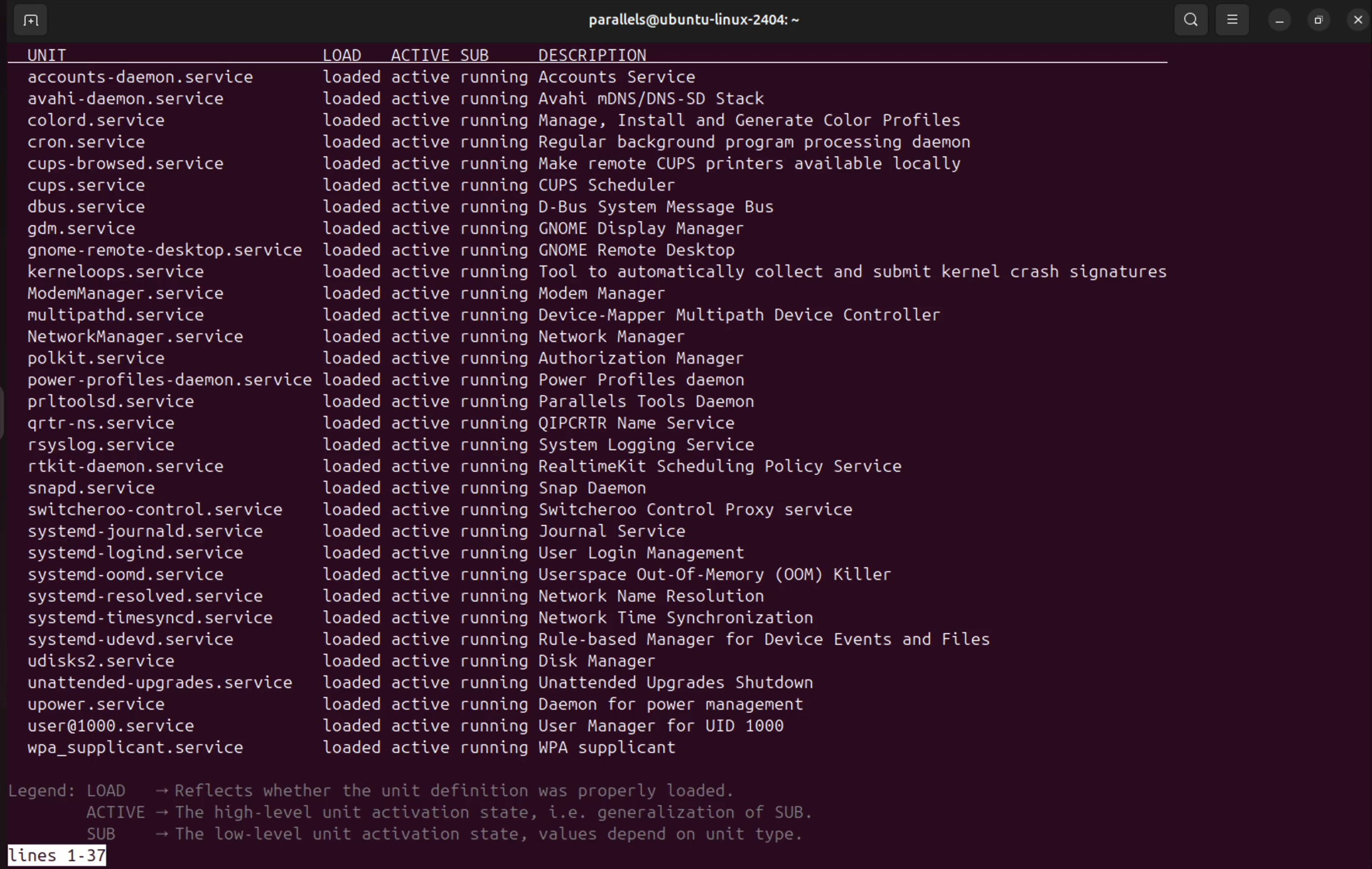 The image size is (1372, 869). Describe the element at coordinates (592, 727) in the screenshot. I see `active running ` at that location.